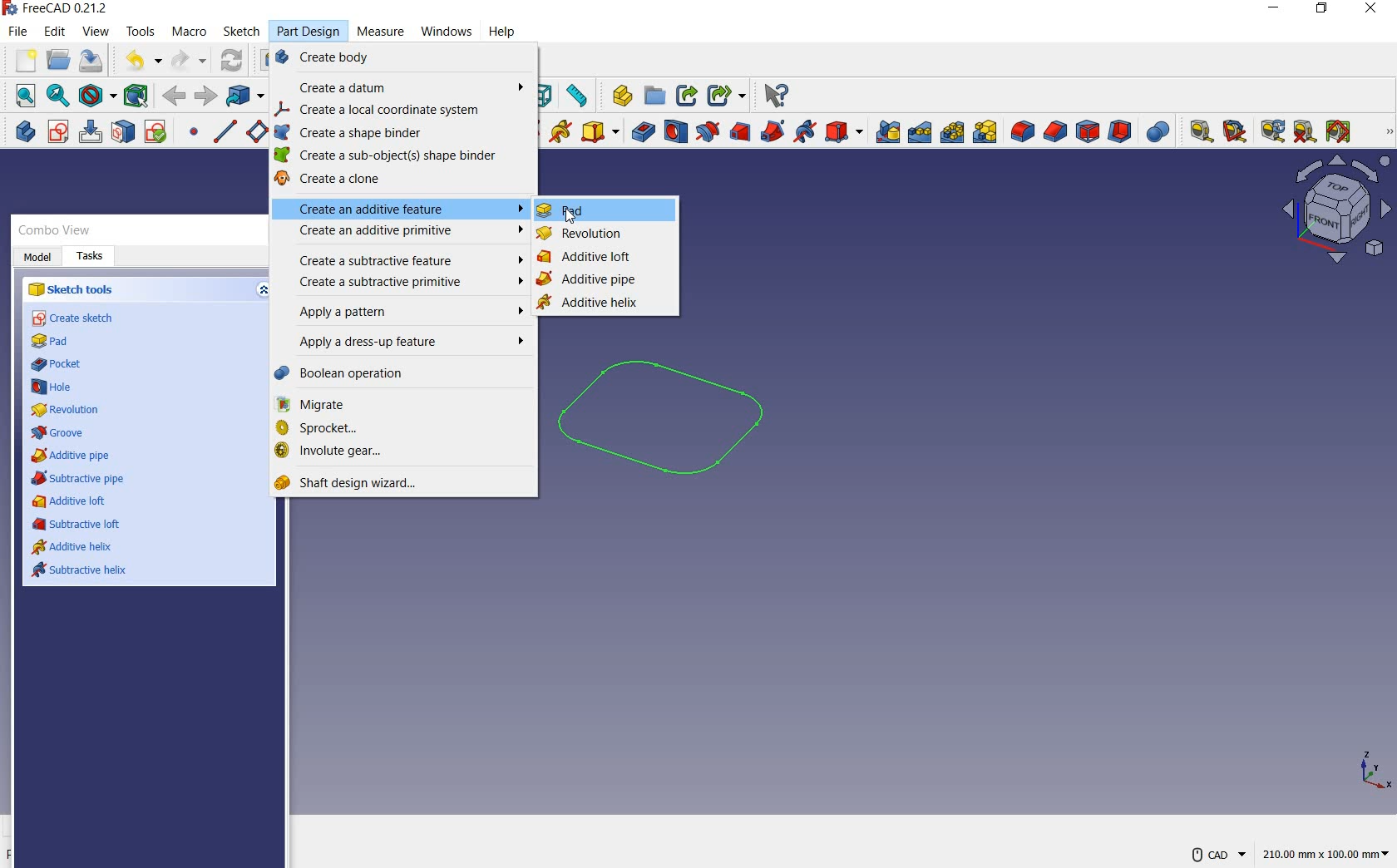 Image resolution: width=1397 pixels, height=868 pixels. What do you see at coordinates (728, 93) in the screenshot?
I see `Share options` at bounding box center [728, 93].